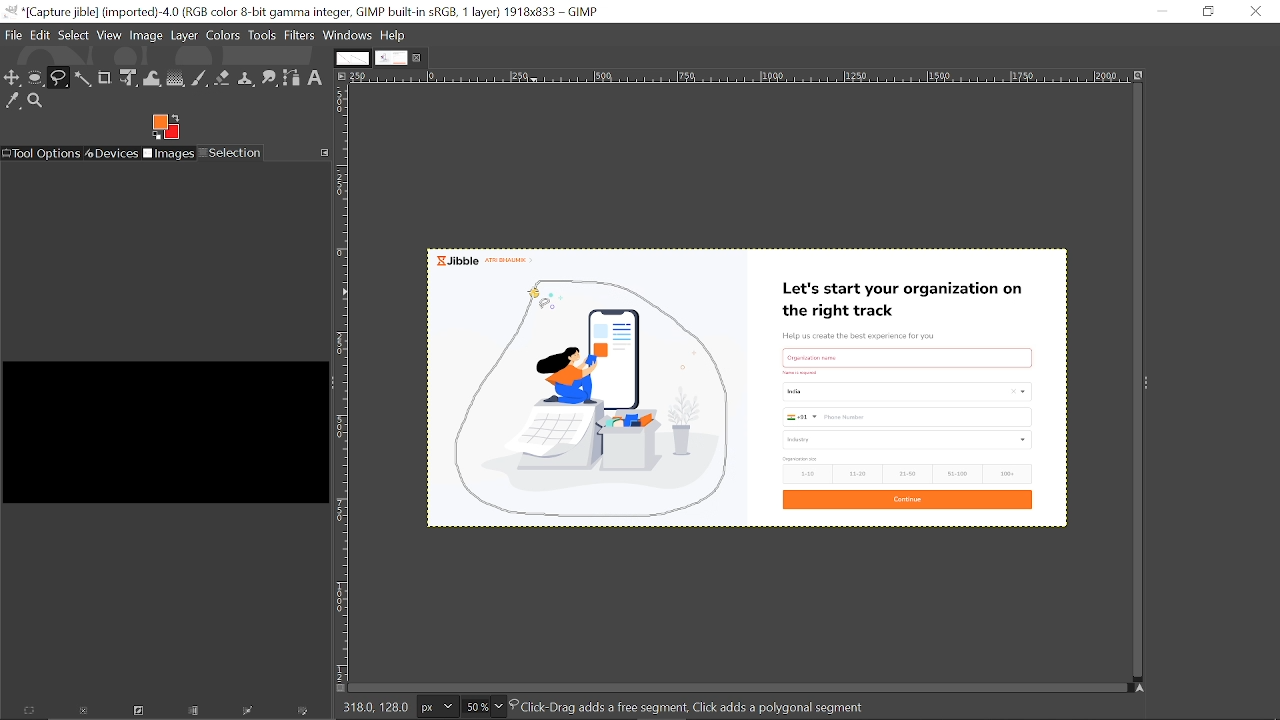 Image resolution: width=1280 pixels, height=720 pixels. Describe the element at coordinates (14, 34) in the screenshot. I see `File` at that location.